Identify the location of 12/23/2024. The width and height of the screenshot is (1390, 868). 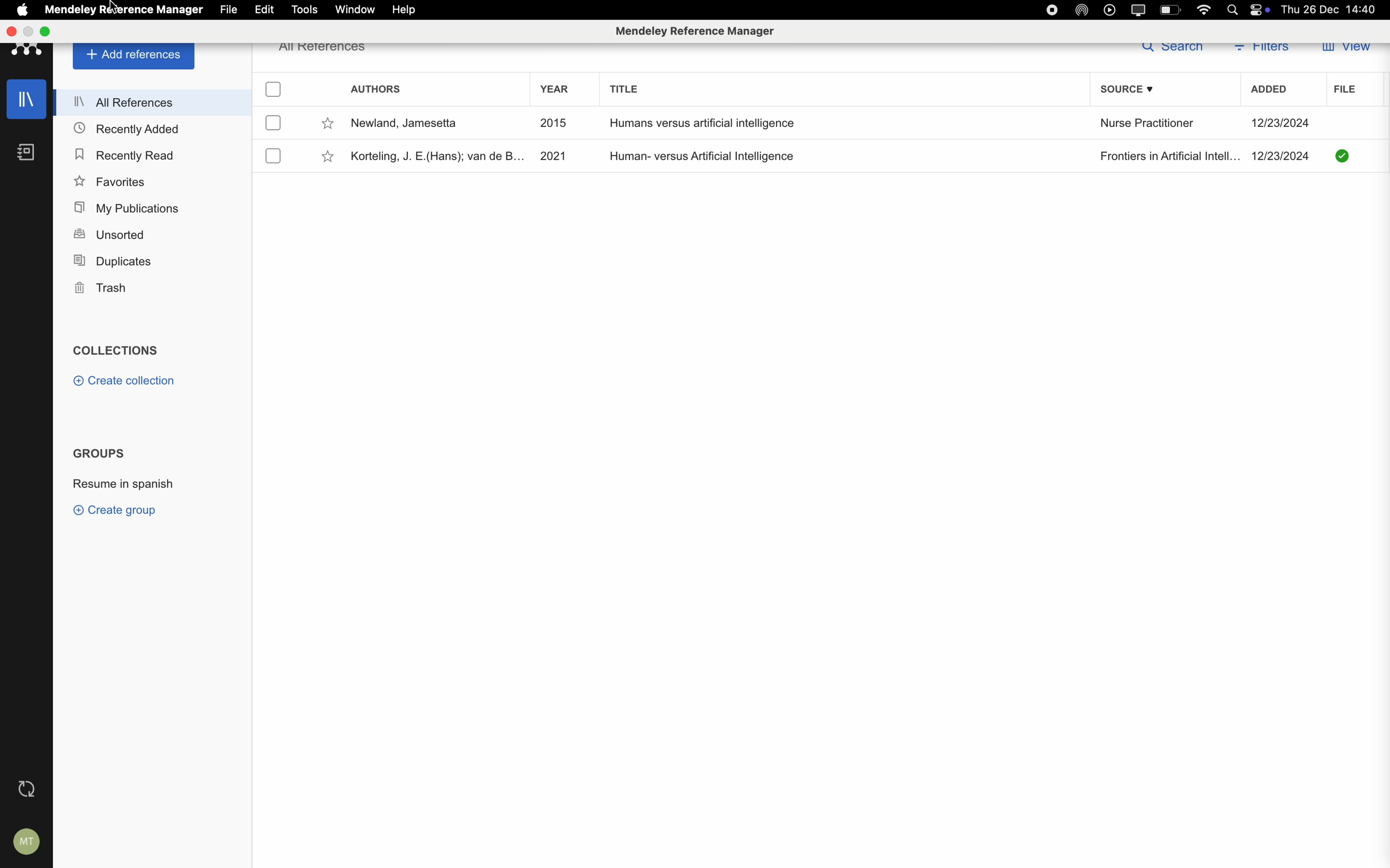
(1281, 156).